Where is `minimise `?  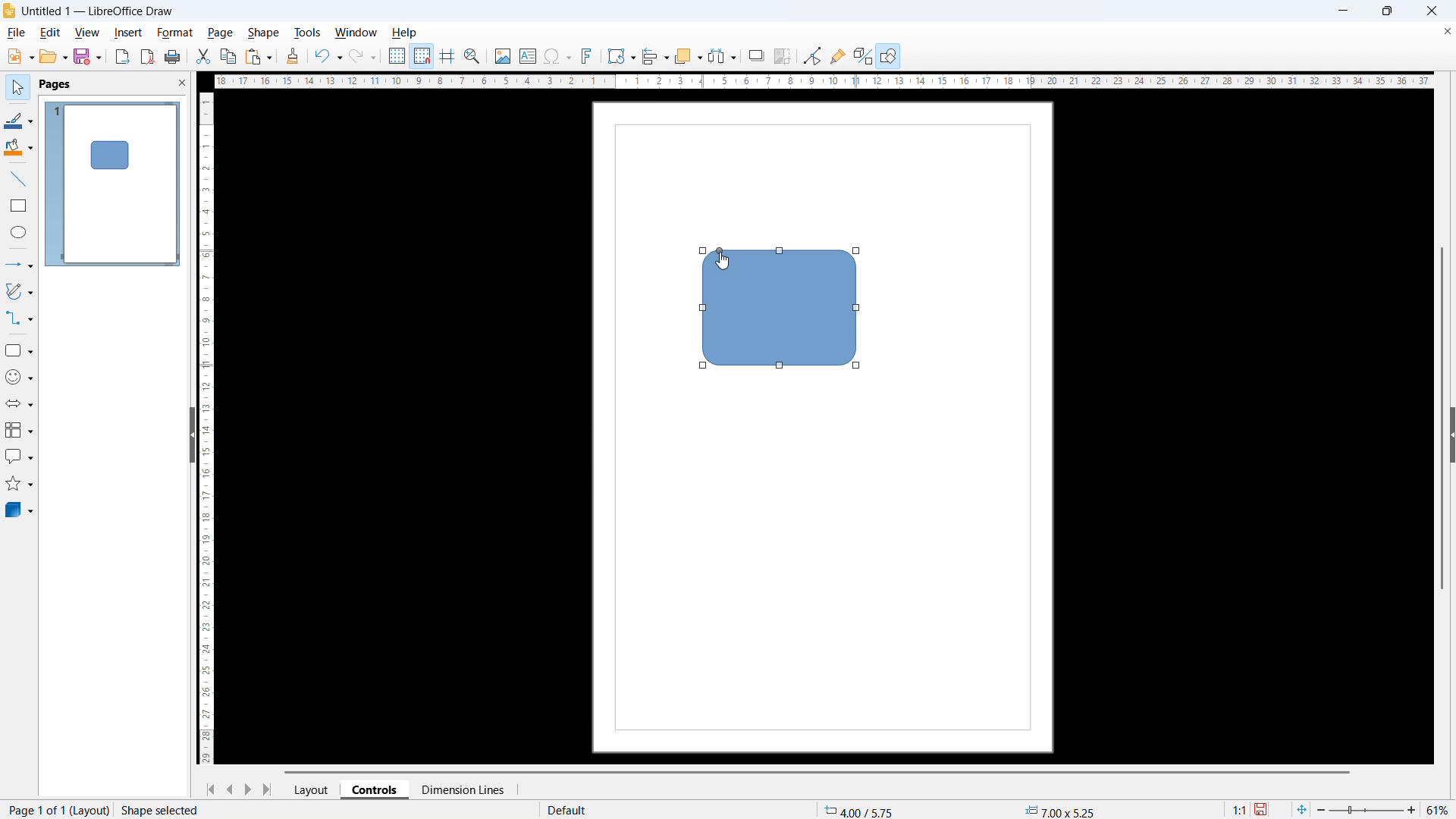 minimise  is located at coordinates (1344, 11).